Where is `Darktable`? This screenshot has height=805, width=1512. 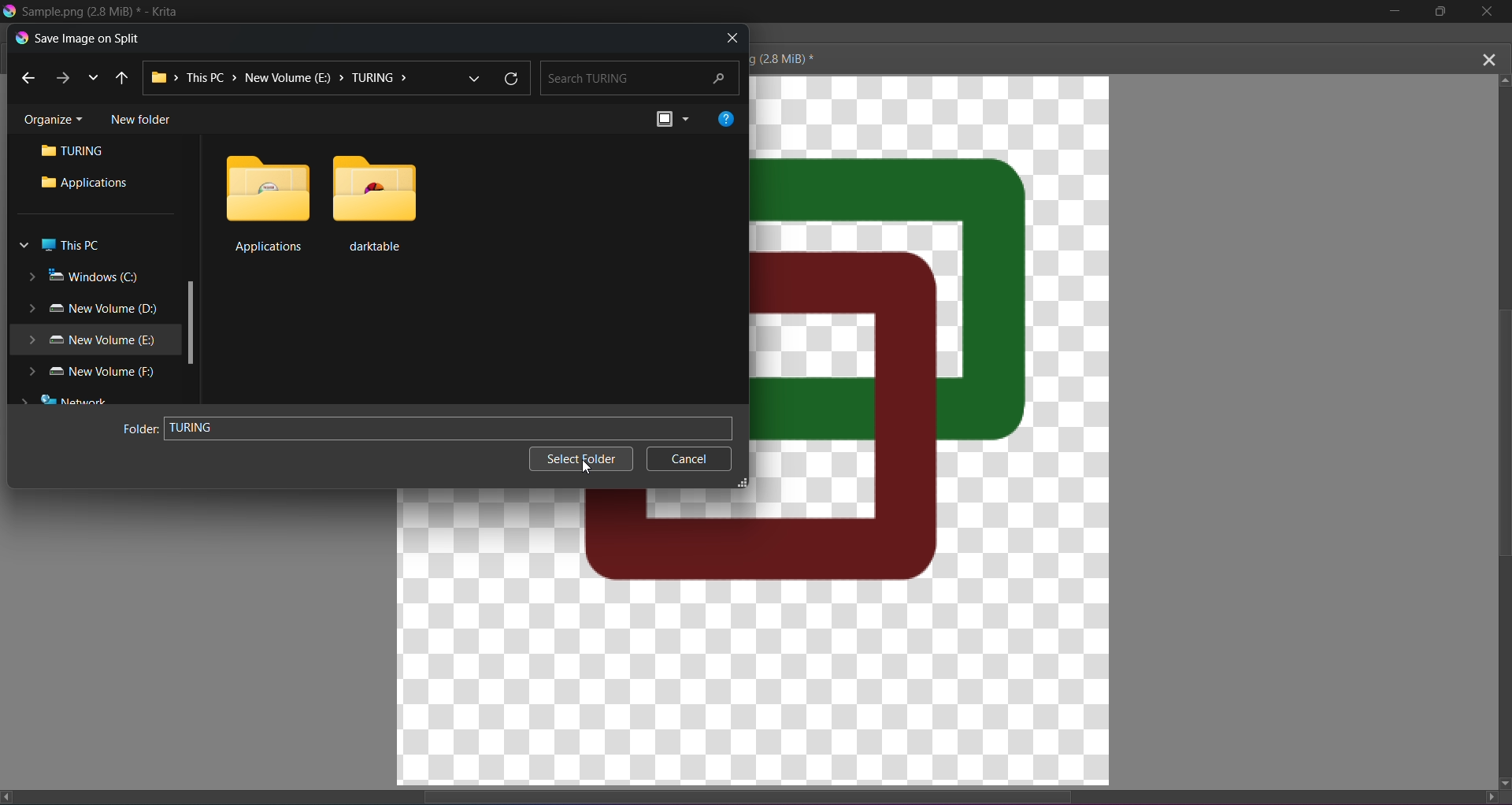 Darktable is located at coordinates (373, 202).